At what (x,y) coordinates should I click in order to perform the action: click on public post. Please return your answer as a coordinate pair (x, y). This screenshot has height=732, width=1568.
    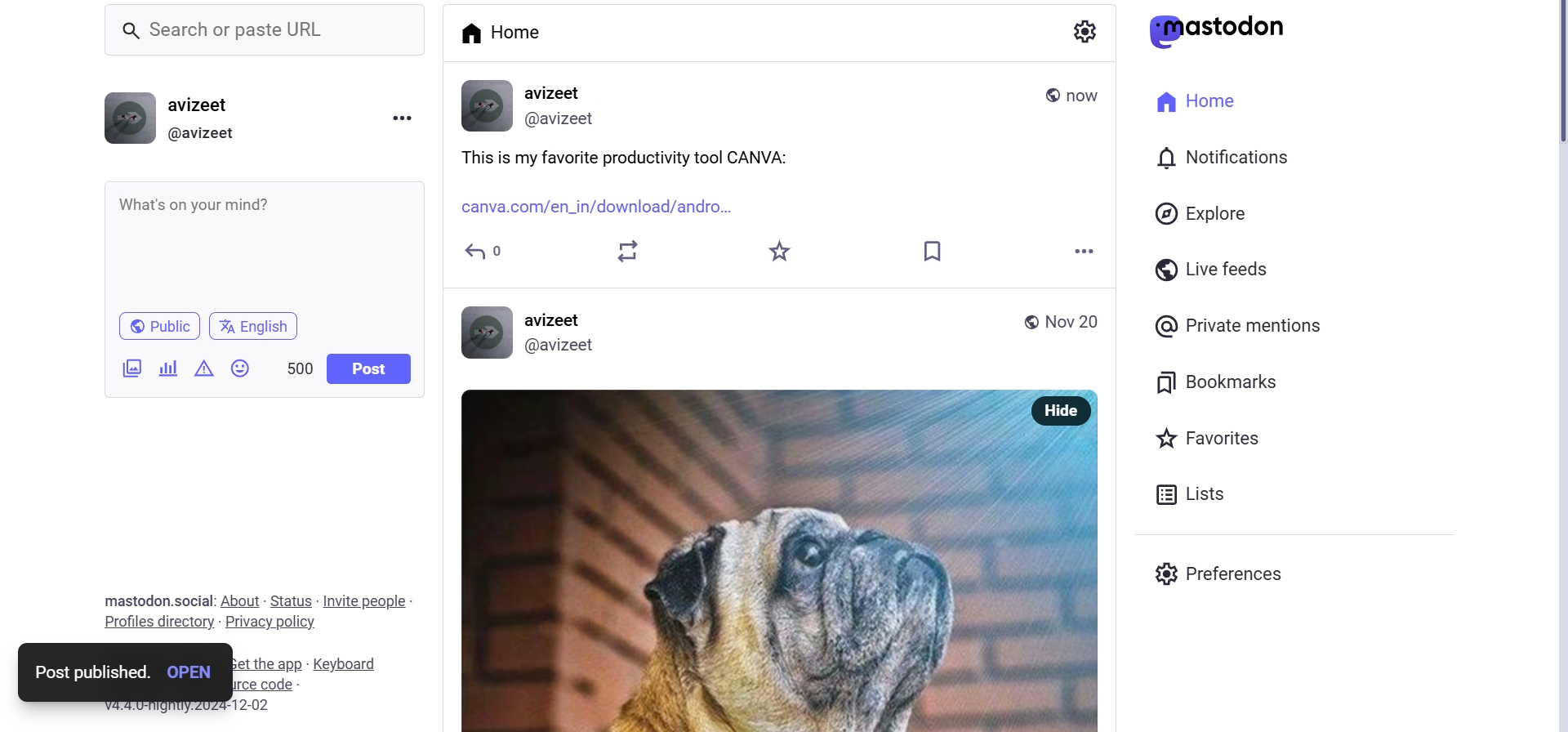
    Looking at the image, I should click on (1045, 94).